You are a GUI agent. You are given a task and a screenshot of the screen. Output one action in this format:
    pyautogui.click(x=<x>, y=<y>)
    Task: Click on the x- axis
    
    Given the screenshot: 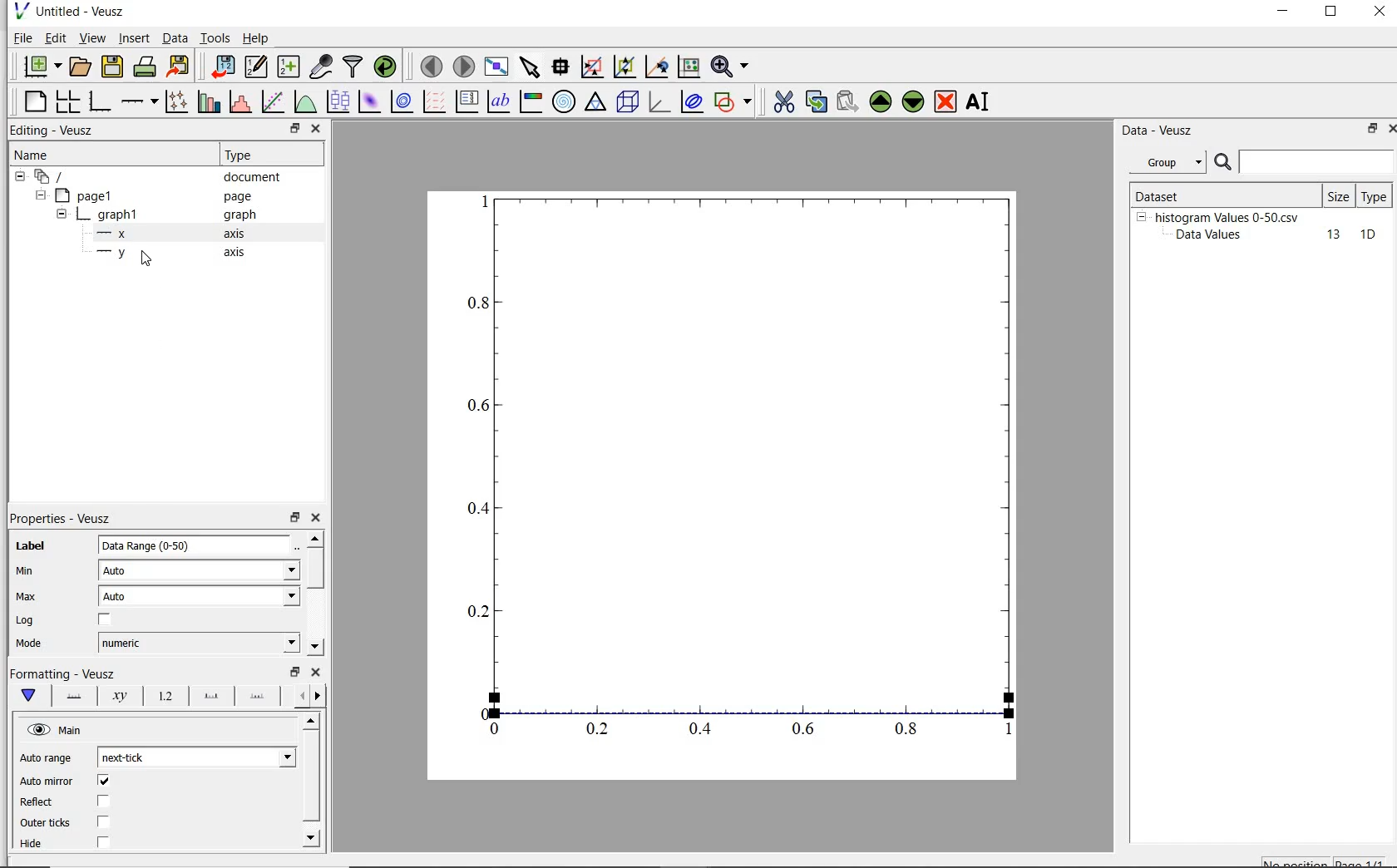 What is the action you would take?
    pyautogui.click(x=115, y=235)
    